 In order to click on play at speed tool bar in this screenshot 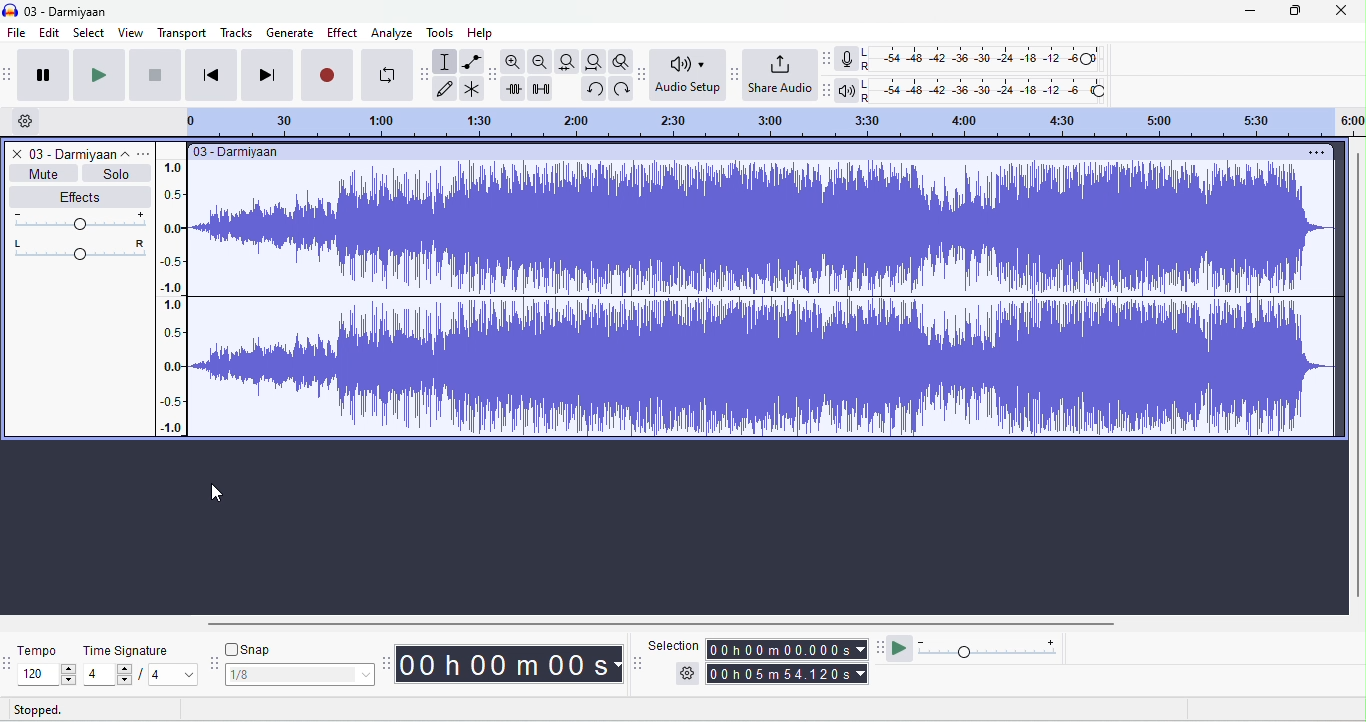, I will do `click(881, 645)`.